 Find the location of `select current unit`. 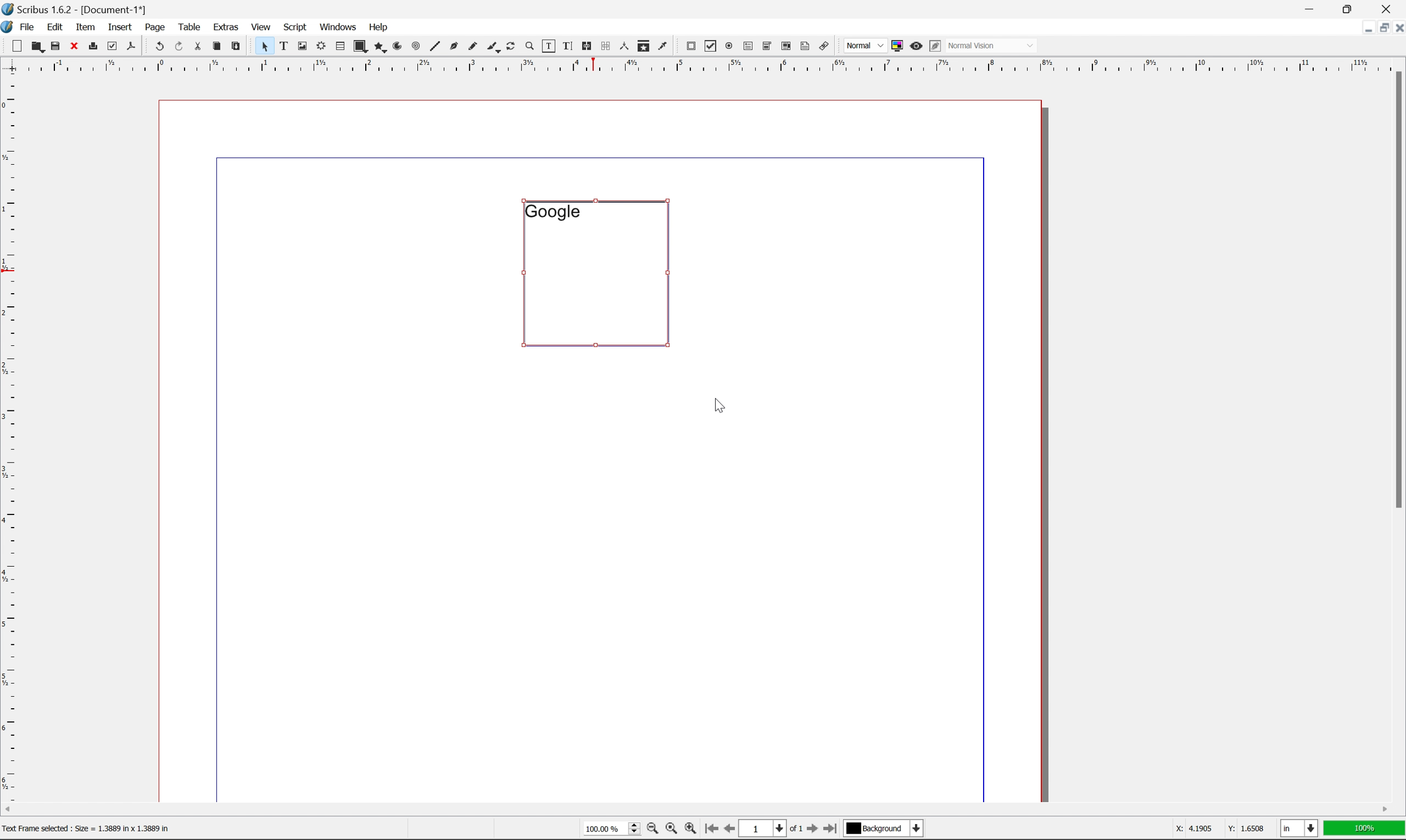

select current unit is located at coordinates (1301, 829).